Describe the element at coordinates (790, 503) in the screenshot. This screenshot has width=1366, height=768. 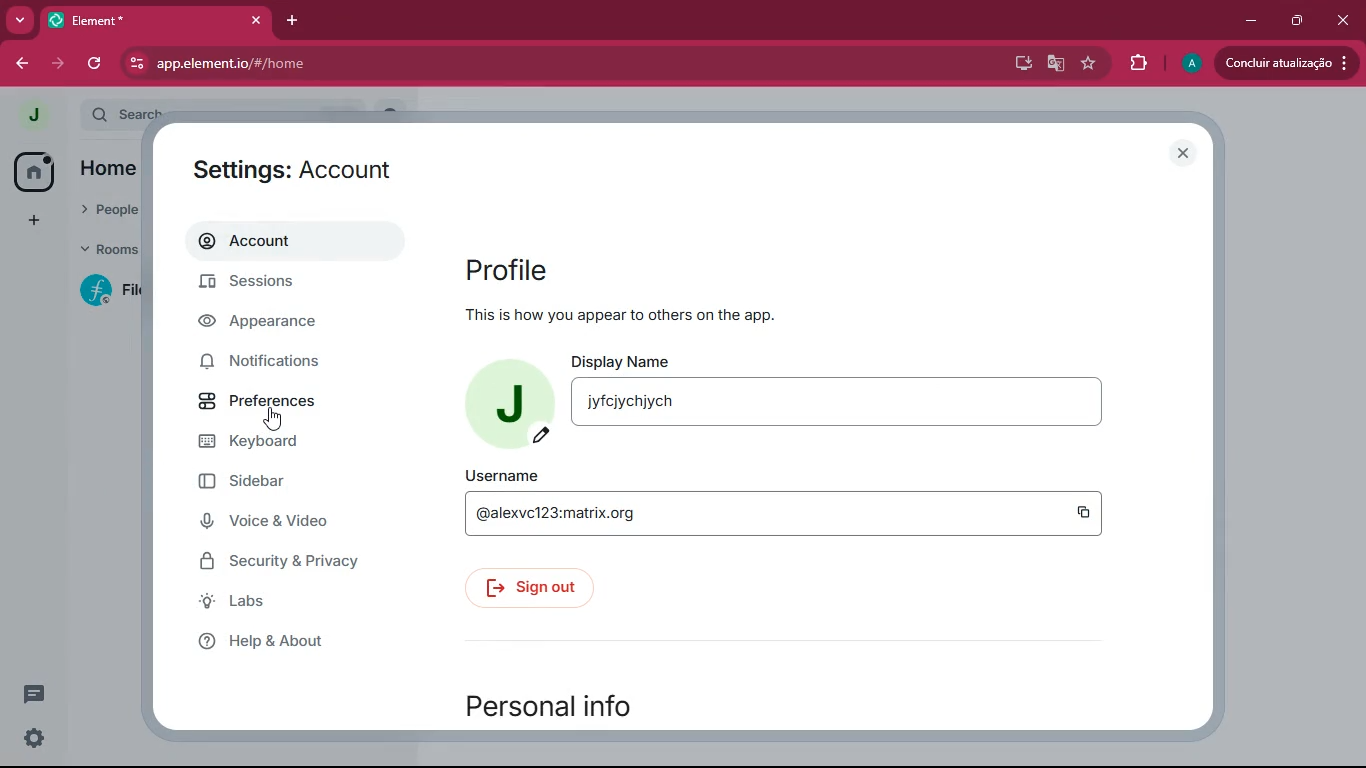
I see `username @alexvc123:matrix.org` at that location.